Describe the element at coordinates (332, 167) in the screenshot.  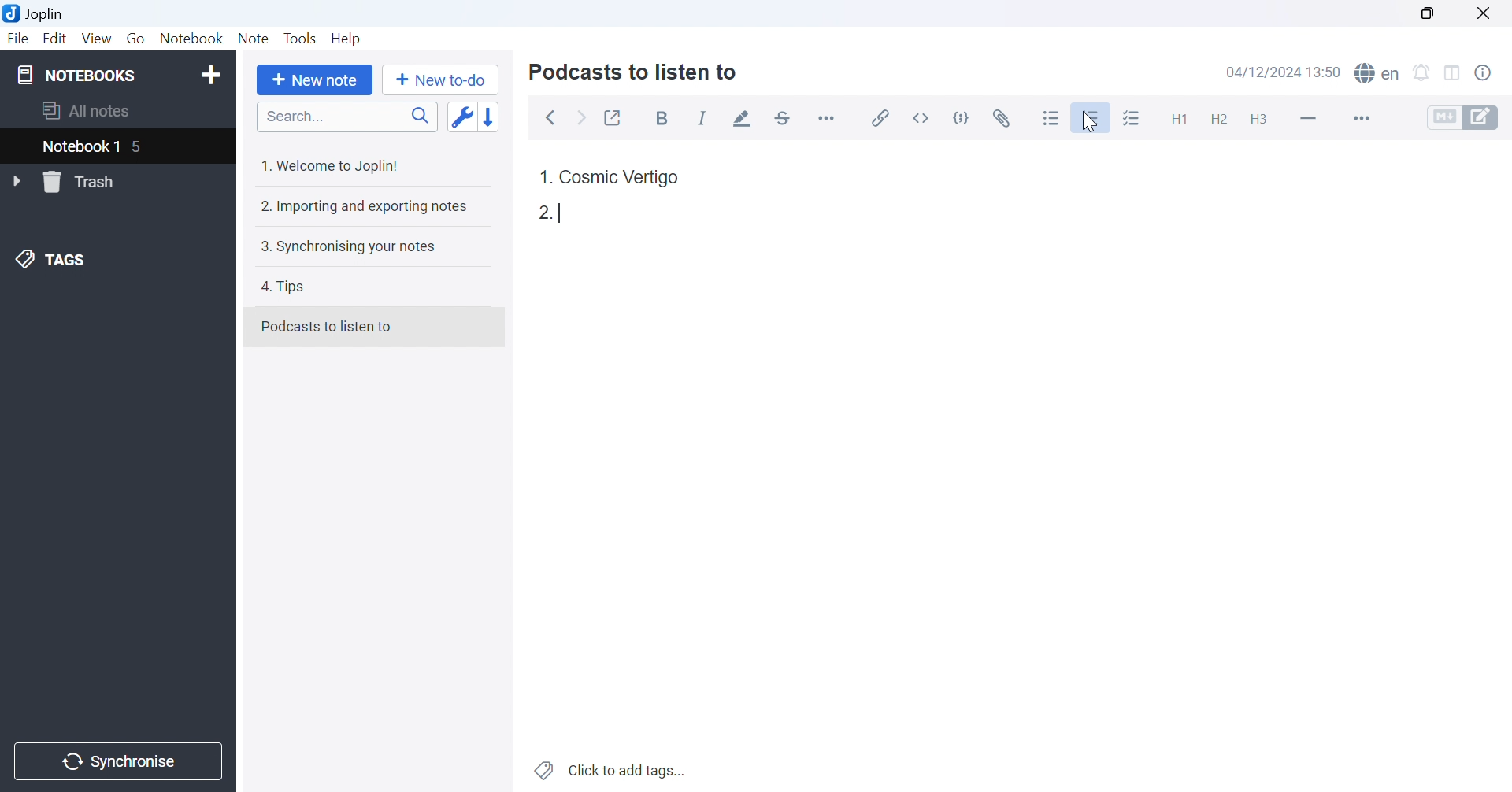
I see `1. Welcome to Joplin!` at that location.